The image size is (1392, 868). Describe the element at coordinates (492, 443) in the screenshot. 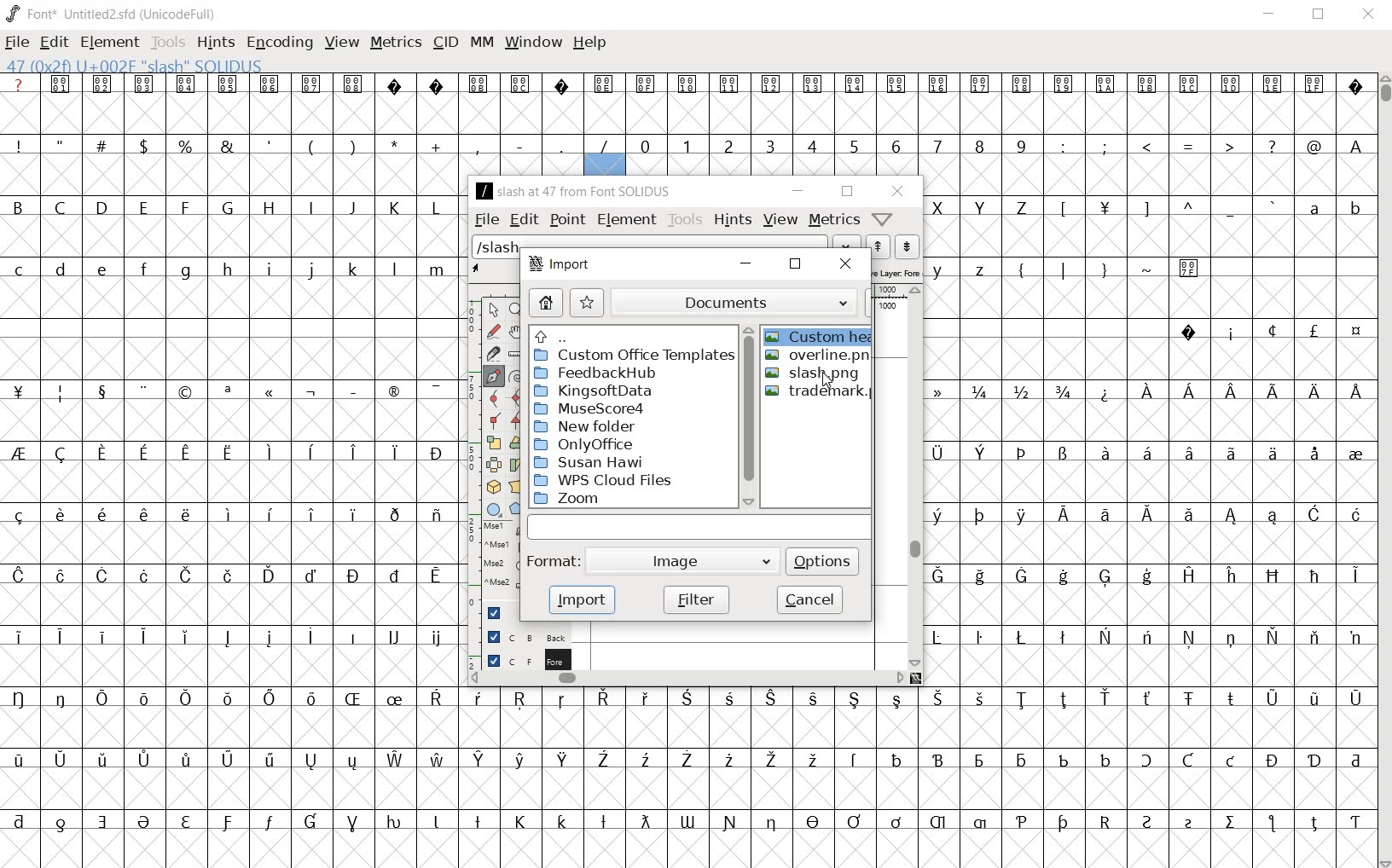

I see `scale the selection` at that location.